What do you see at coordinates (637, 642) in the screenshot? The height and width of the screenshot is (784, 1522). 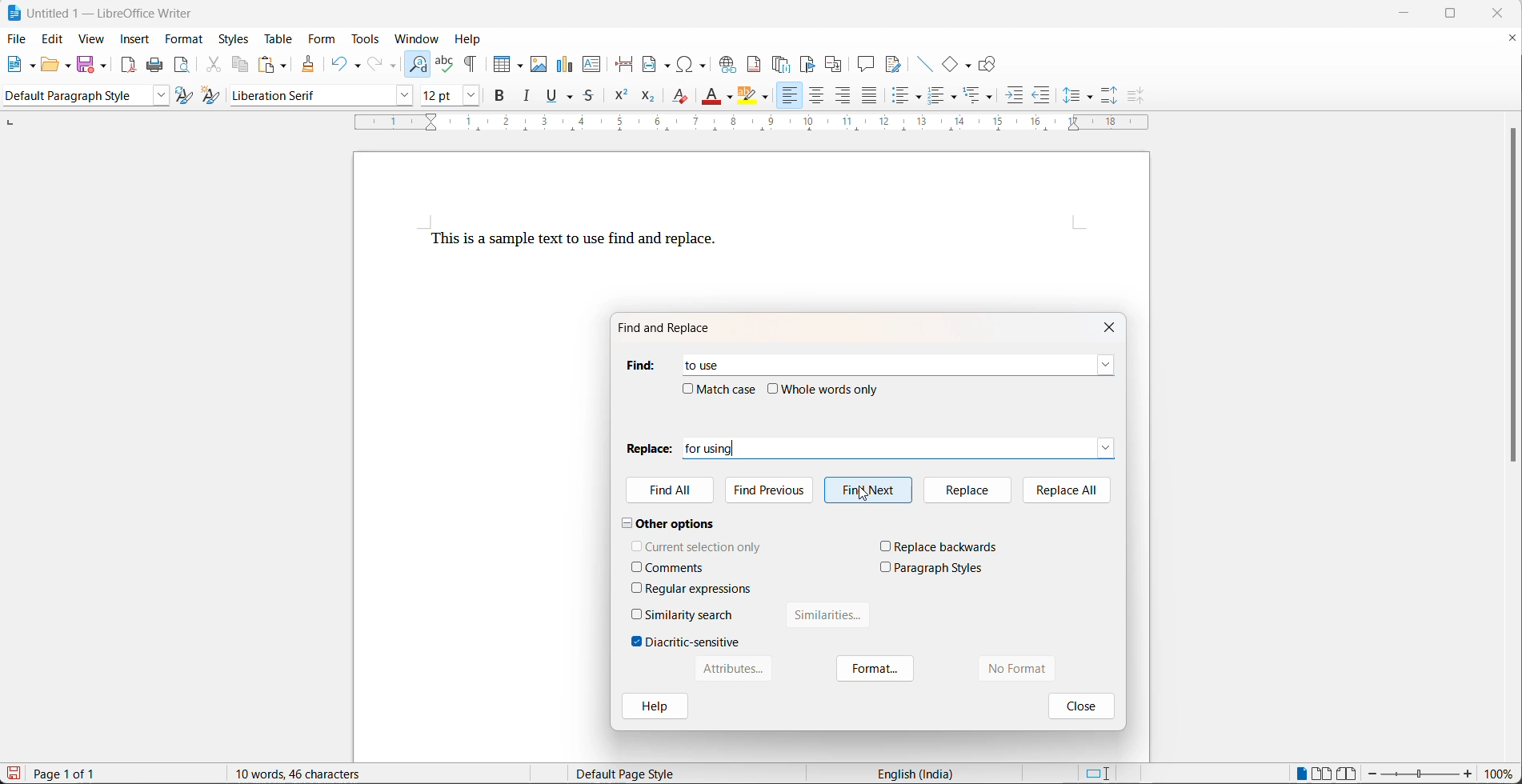 I see `checkbox` at bounding box center [637, 642].